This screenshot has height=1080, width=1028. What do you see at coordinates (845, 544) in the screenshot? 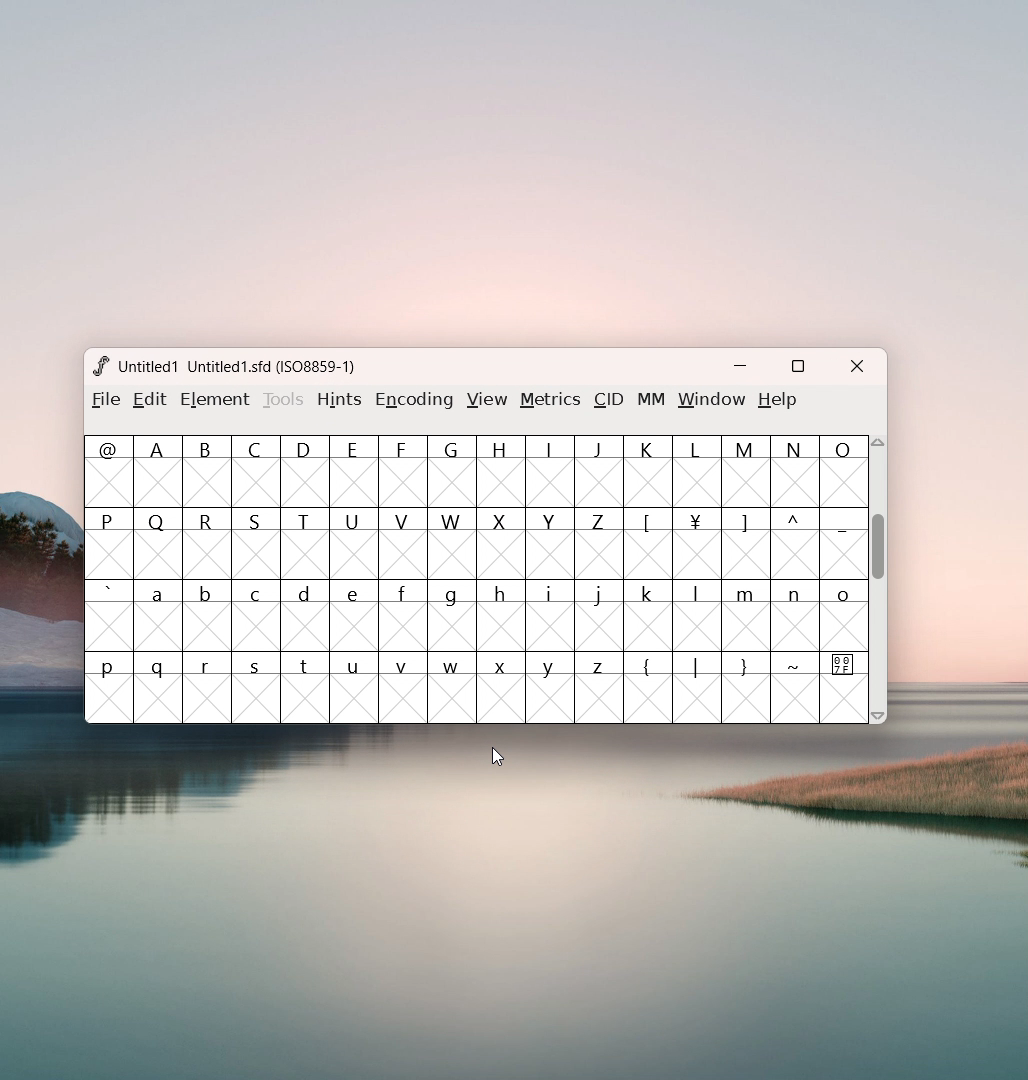
I see `-` at bounding box center [845, 544].